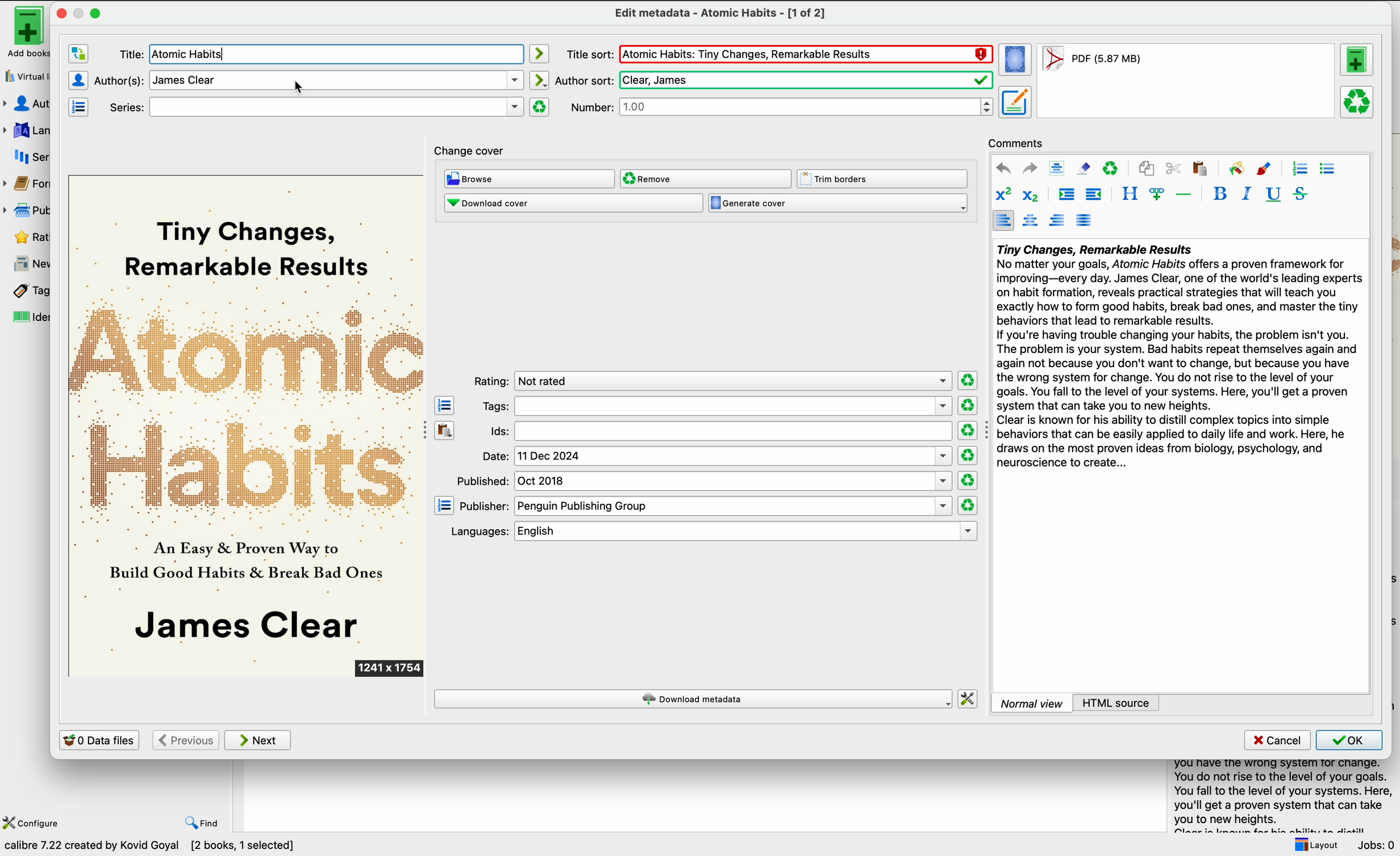  What do you see at coordinates (1033, 195) in the screenshot?
I see `subscript` at bounding box center [1033, 195].